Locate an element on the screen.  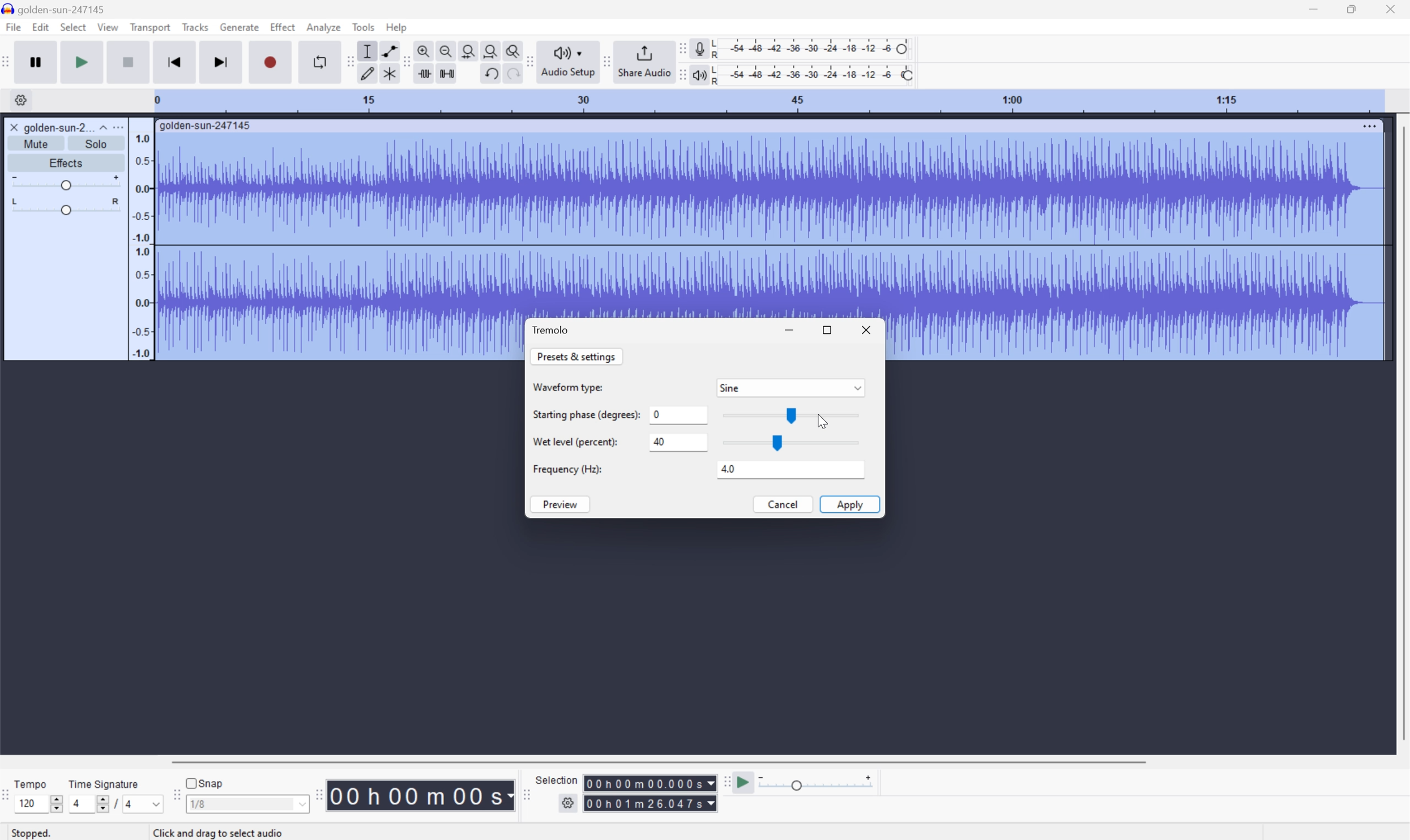
120 is located at coordinates (33, 804).